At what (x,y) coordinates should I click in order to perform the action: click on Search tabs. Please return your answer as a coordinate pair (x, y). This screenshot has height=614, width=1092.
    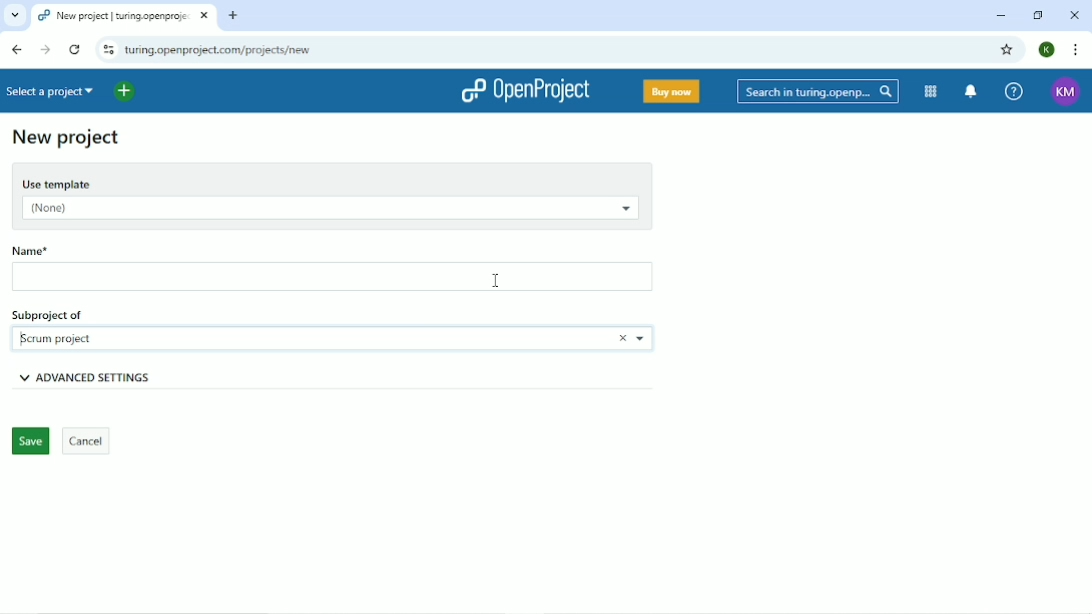
    Looking at the image, I should click on (14, 16).